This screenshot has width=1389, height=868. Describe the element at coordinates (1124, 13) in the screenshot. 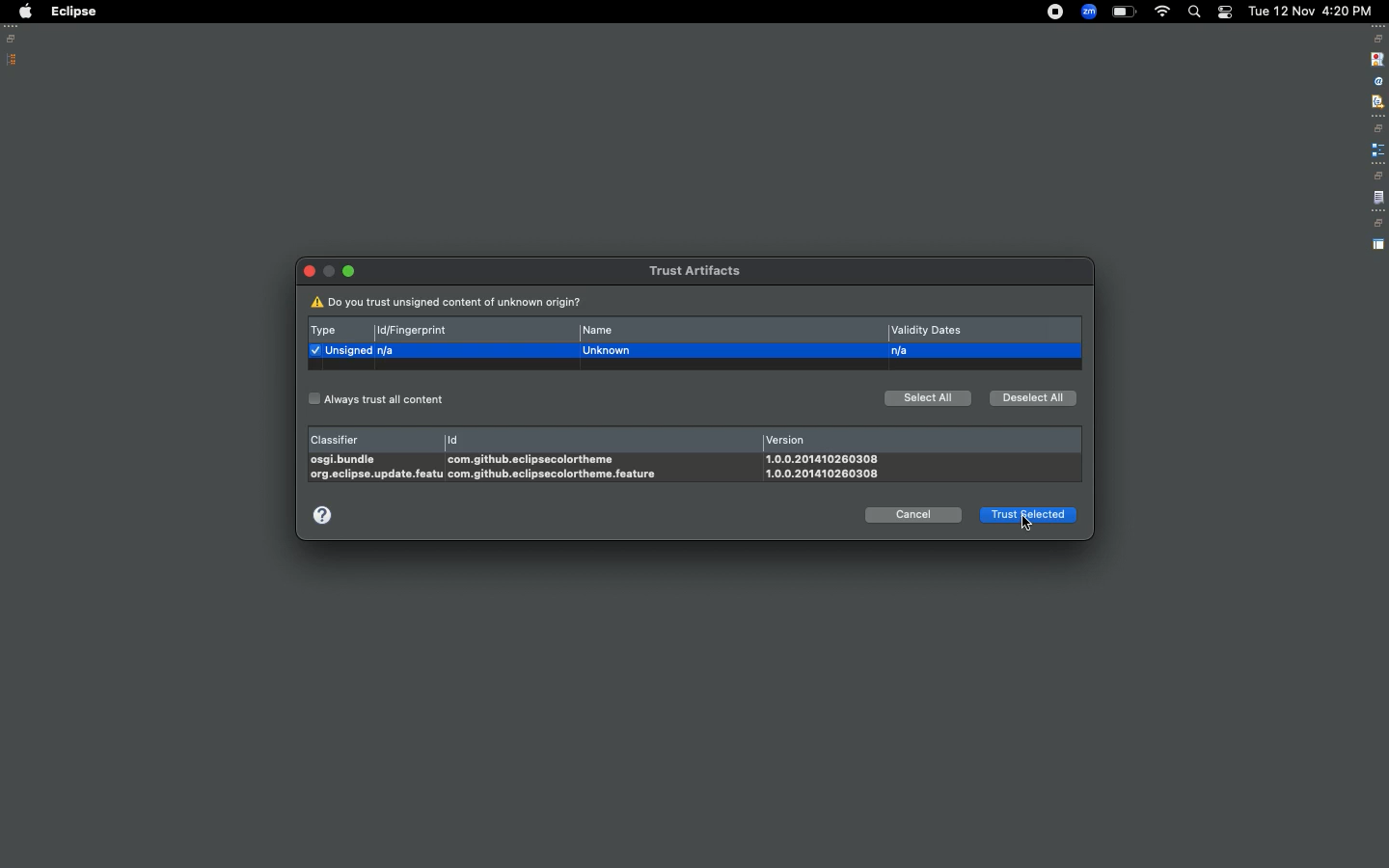

I see `Charge` at that location.